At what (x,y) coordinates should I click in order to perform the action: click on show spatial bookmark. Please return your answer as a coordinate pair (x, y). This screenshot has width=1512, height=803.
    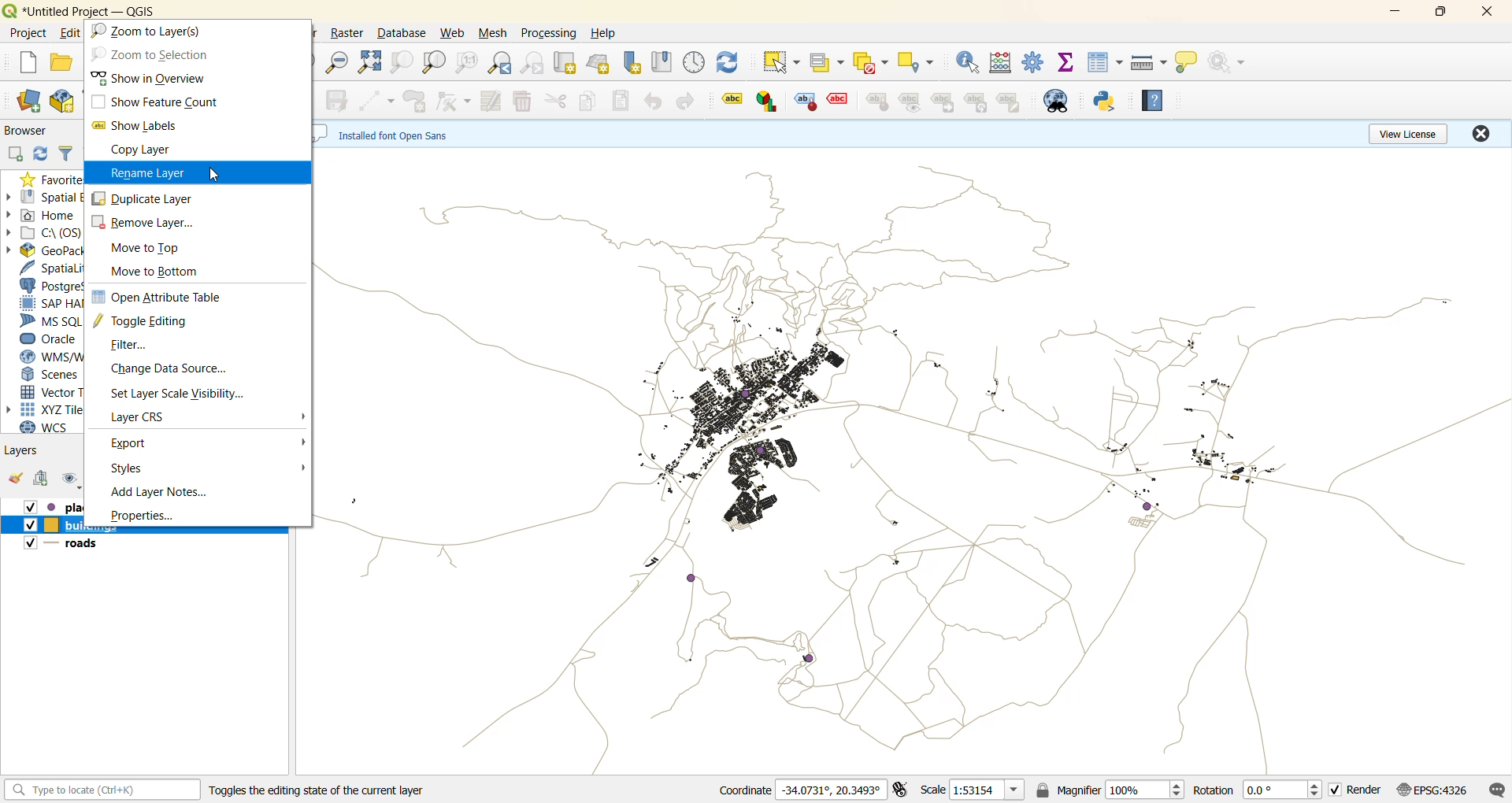
    Looking at the image, I should click on (664, 61).